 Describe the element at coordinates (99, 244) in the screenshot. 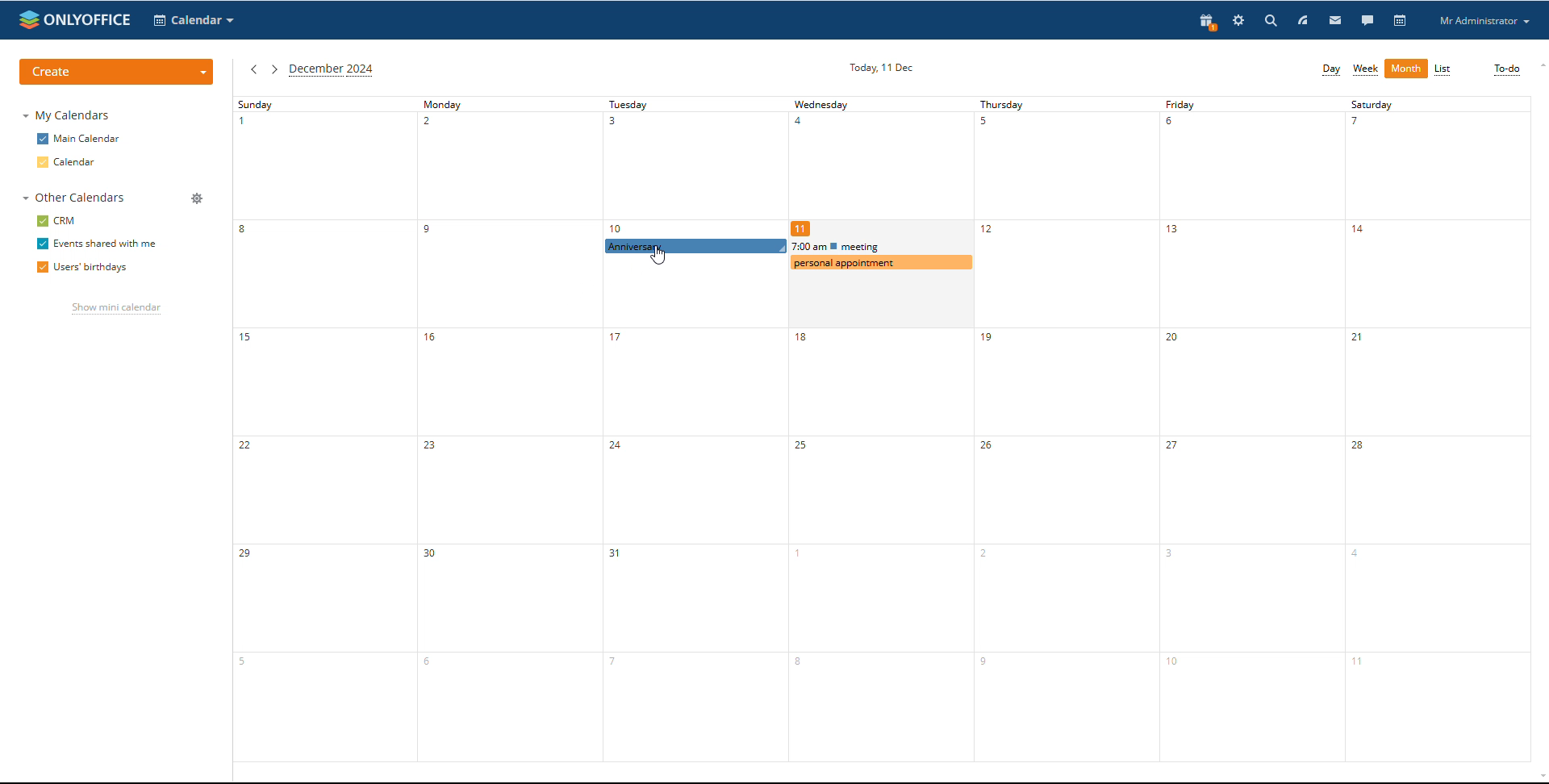

I see `events shared with me` at that location.